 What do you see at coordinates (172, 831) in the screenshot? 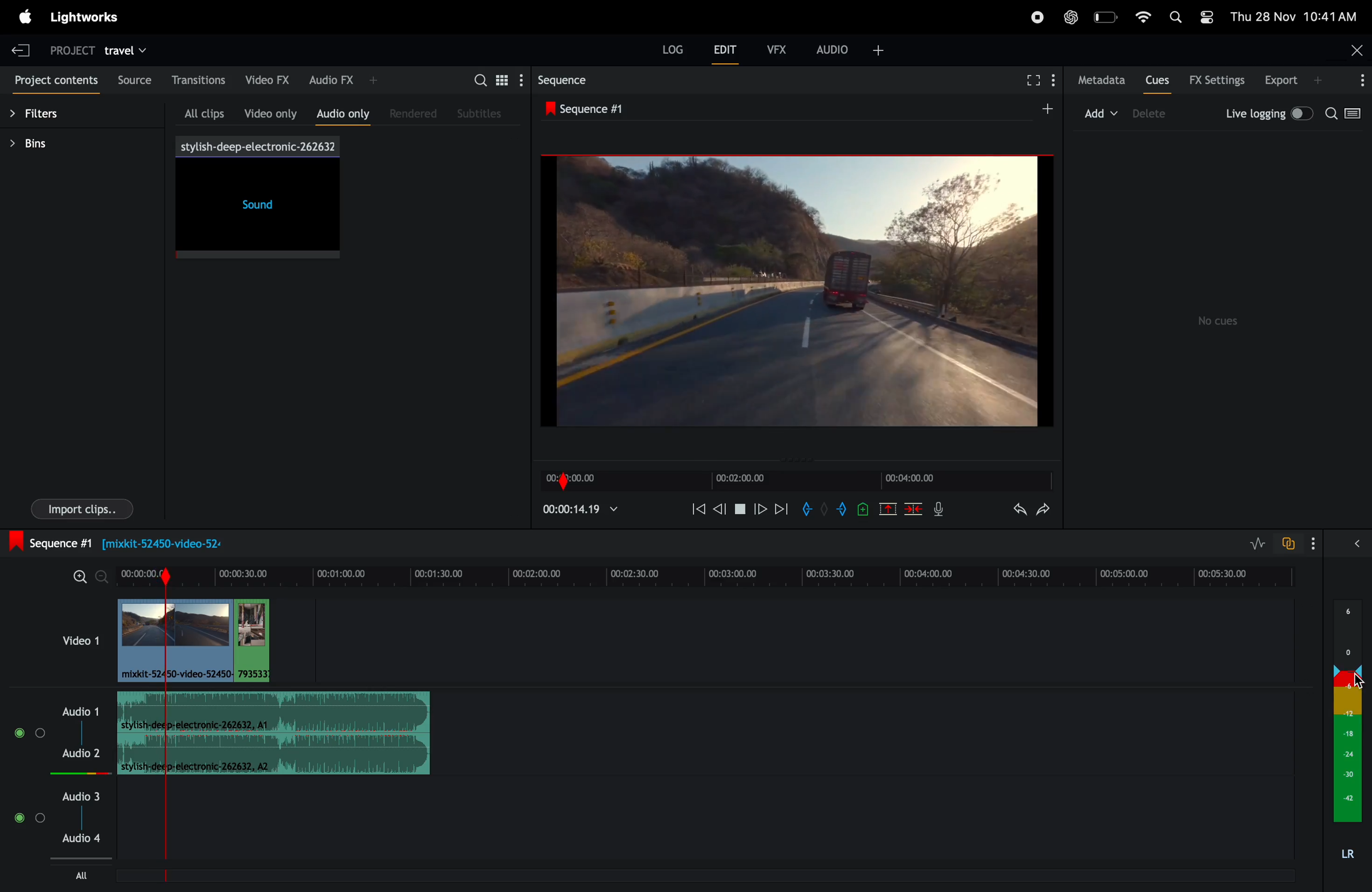
I see `Sequence Marker` at bounding box center [172, 831].